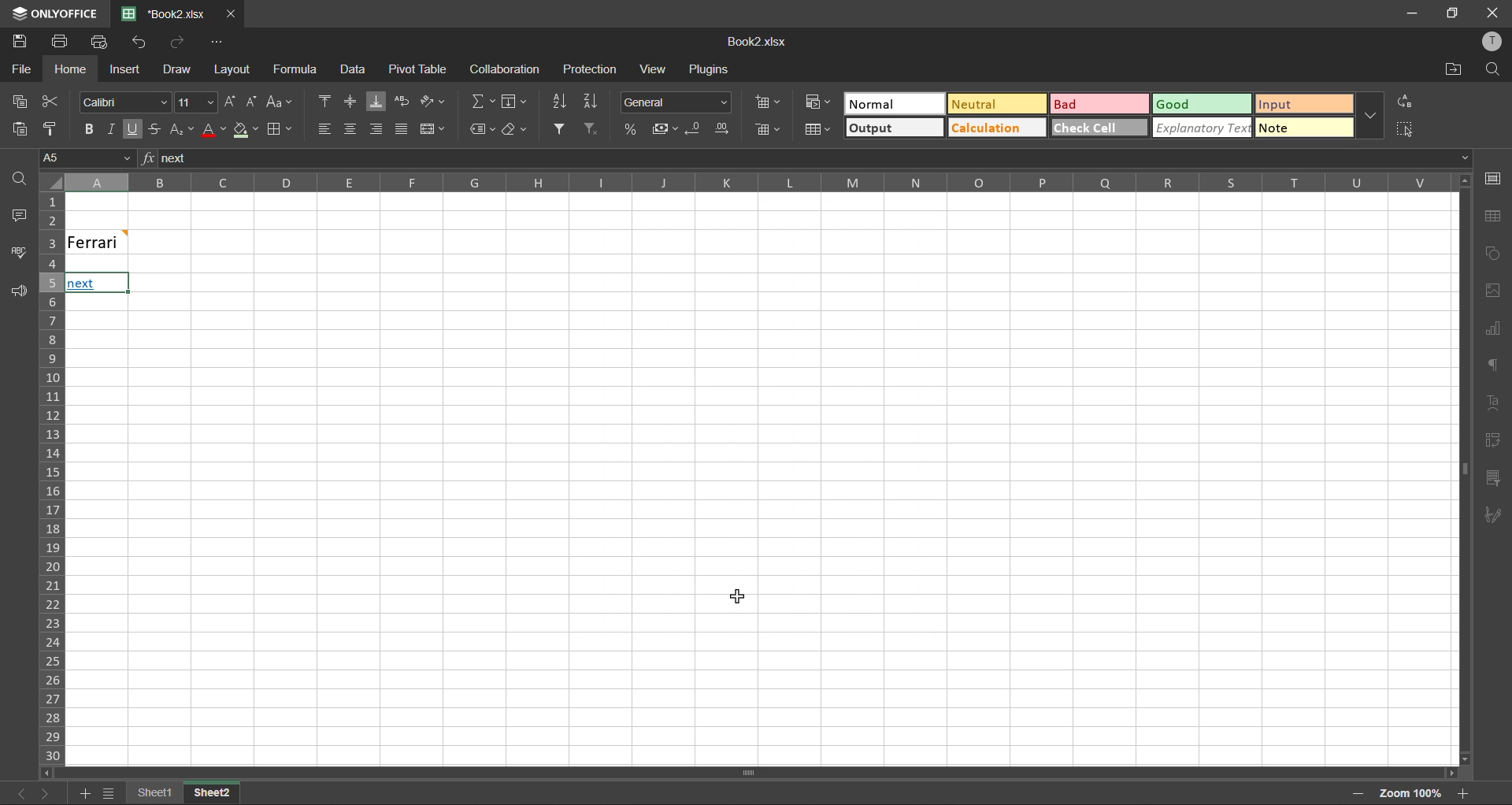 Image resolution: width=1512 pixels, height=805 pixels. I want to click on filter, so click(561, 128).